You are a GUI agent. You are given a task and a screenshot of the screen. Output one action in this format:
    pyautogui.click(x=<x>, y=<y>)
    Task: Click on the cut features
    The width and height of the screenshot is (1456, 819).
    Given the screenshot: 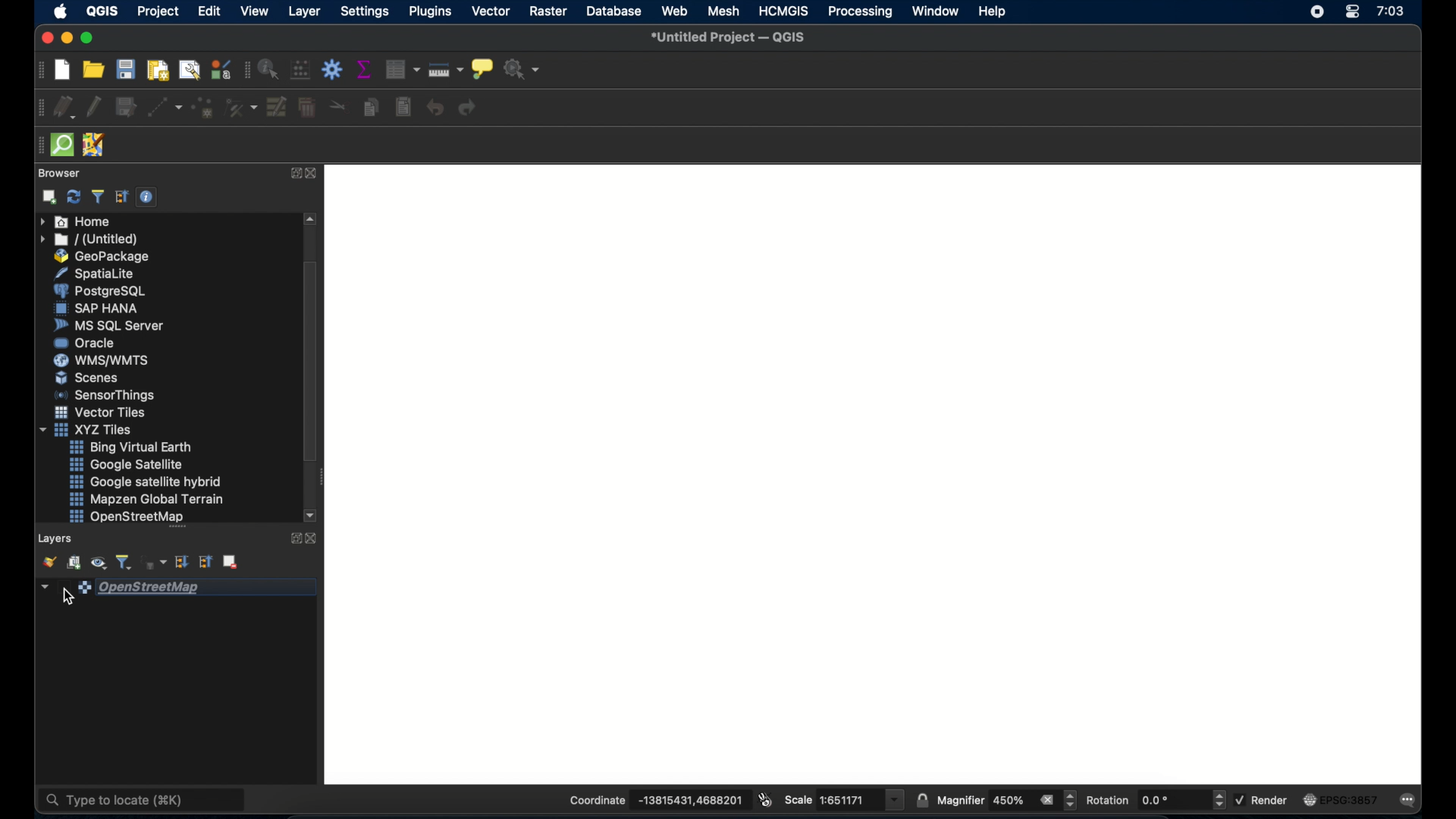 What is the action you would take?
    pyautogui.click(x=338, y=105)
    